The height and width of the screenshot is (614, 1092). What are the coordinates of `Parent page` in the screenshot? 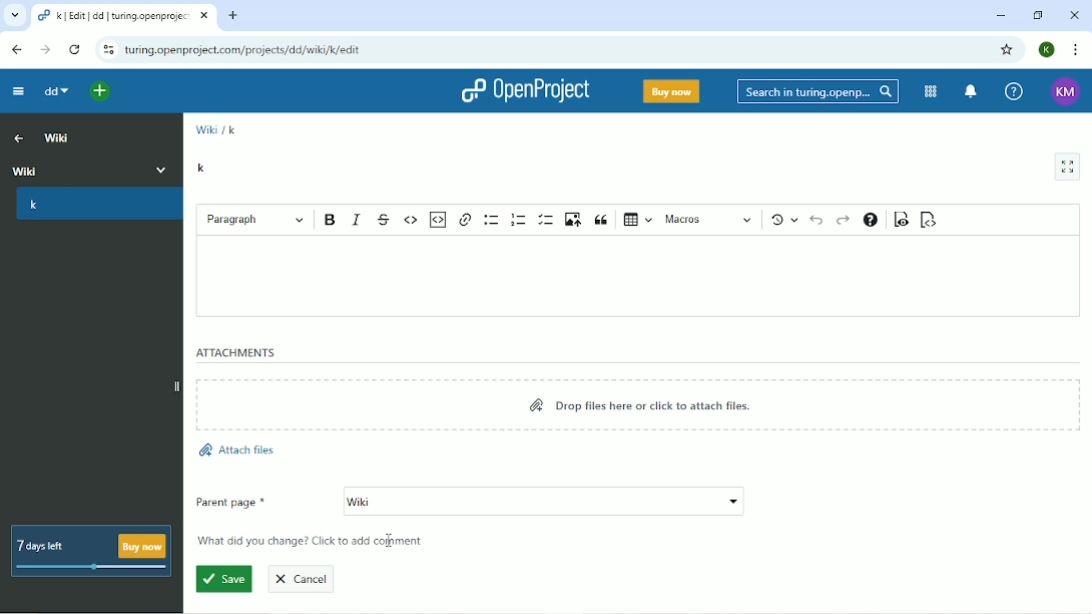 It's located at (470, 502).